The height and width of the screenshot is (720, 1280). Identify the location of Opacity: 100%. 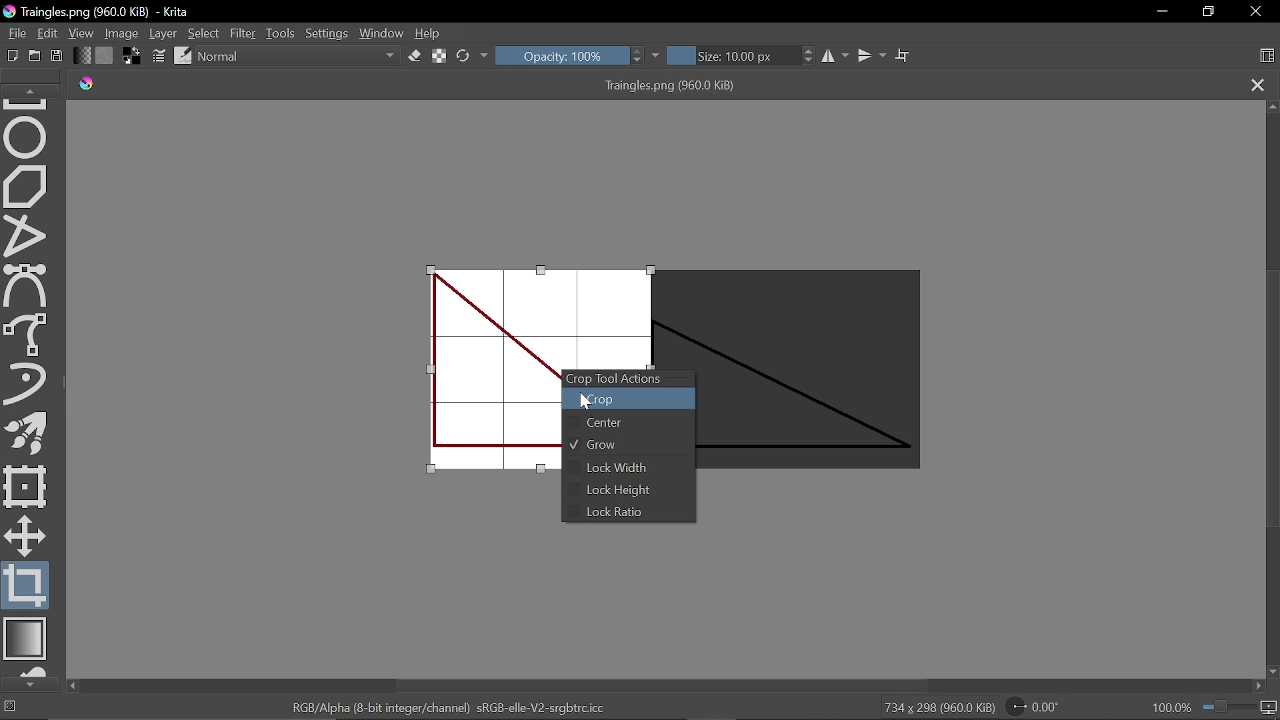
(561, 55).